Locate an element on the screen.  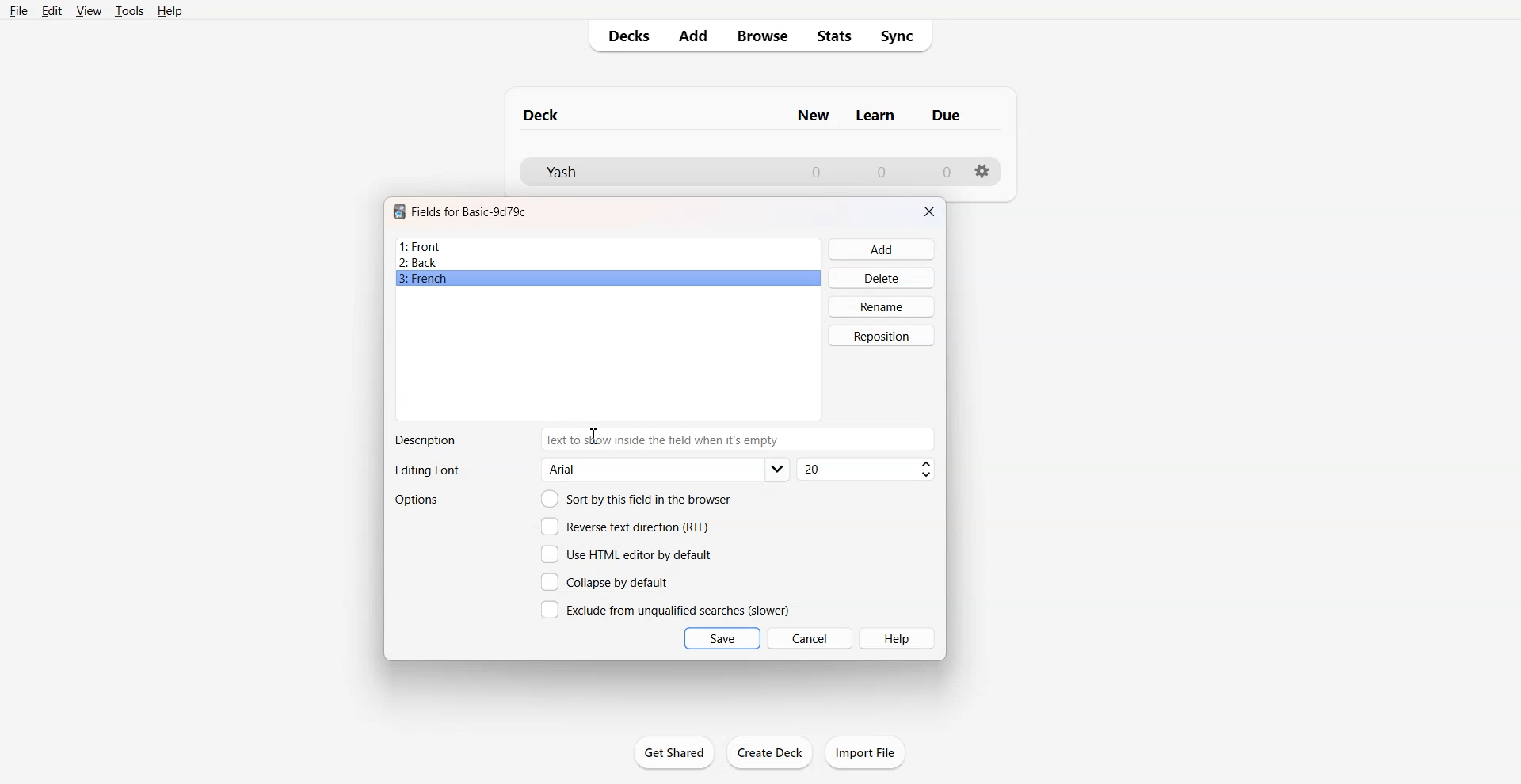
Close is located at coordinates (929, 211).